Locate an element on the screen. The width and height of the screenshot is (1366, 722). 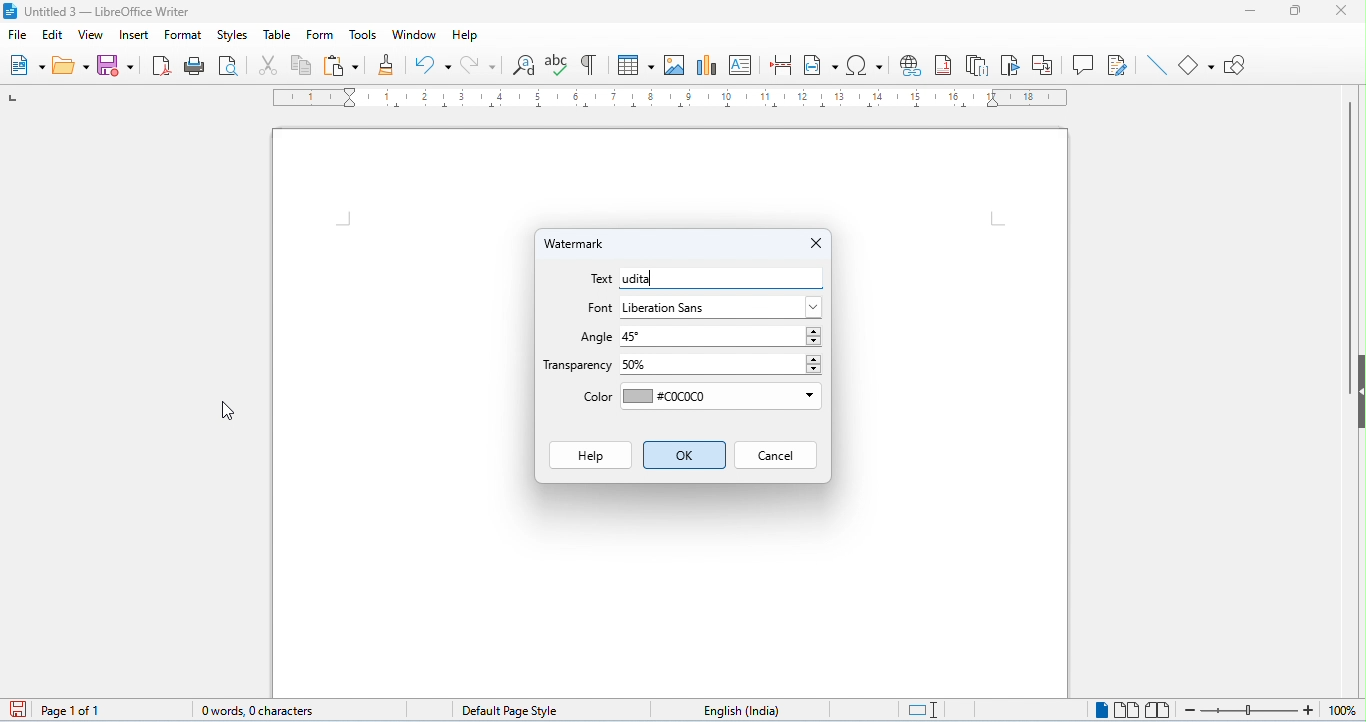
zoom is located at coordinates (1274, 711).